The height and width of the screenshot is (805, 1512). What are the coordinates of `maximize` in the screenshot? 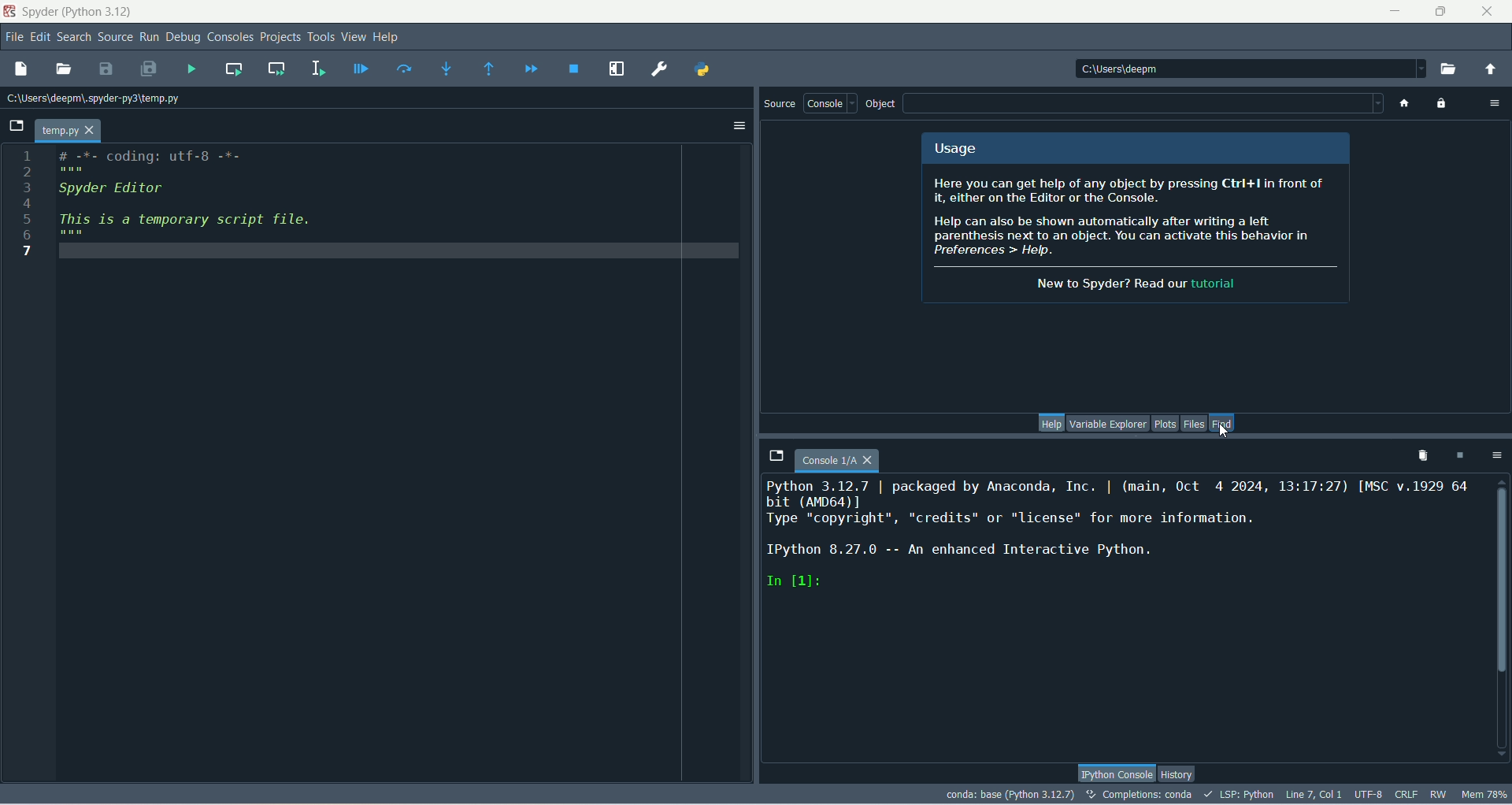 It's located at (1440, 12).